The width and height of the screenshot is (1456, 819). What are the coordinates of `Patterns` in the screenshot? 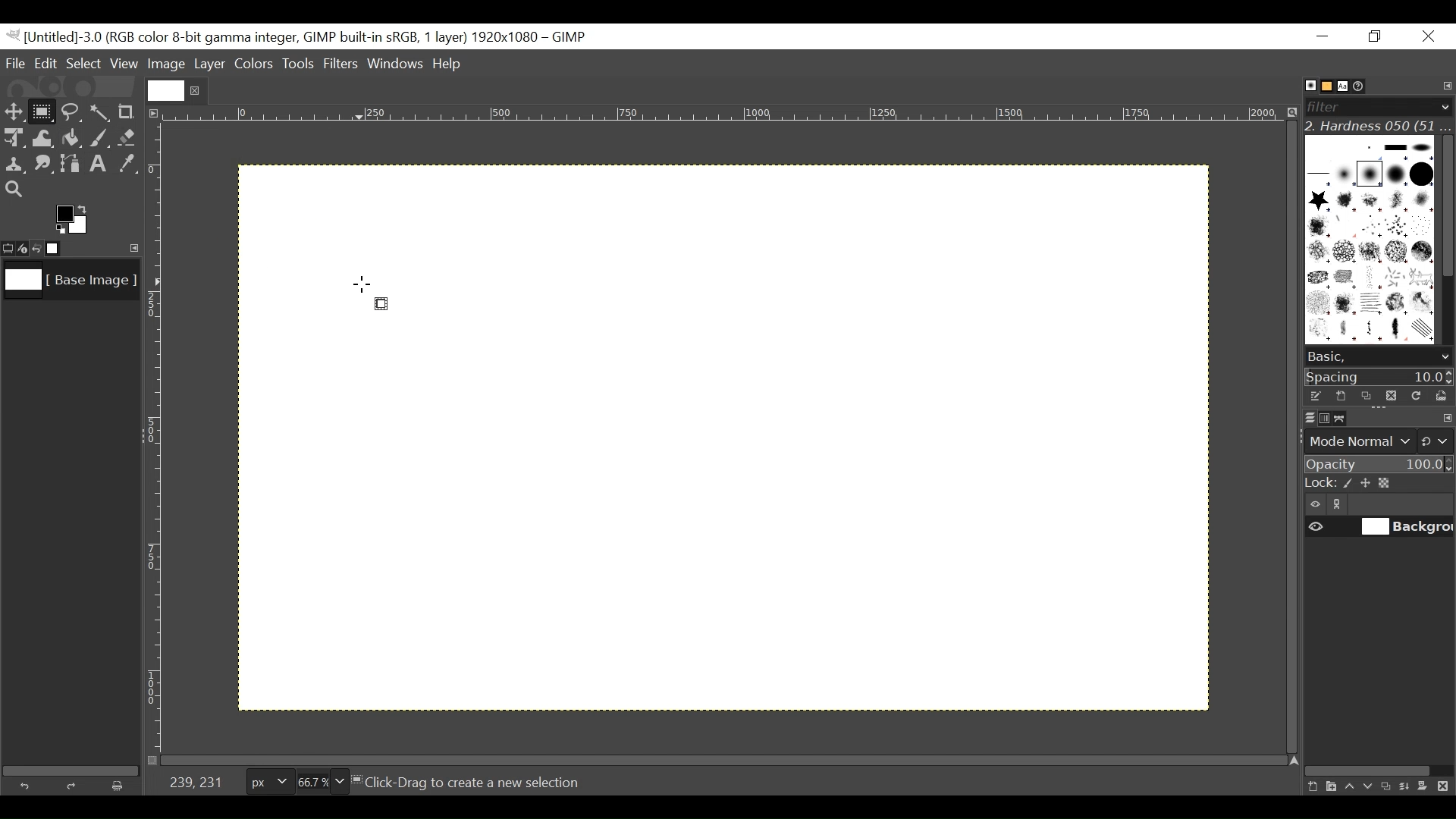 It's located at (1365, 243).